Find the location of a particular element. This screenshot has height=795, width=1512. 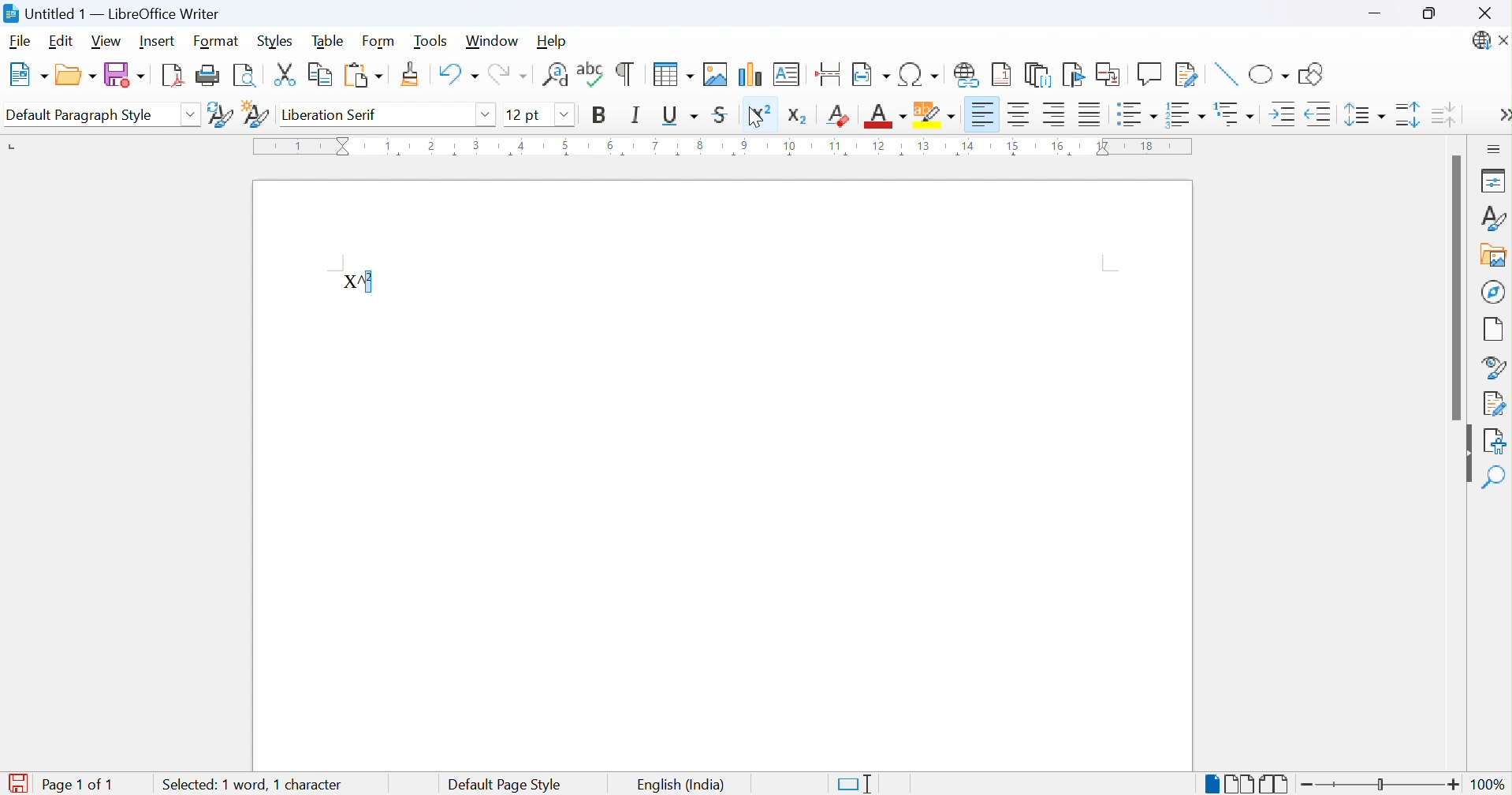

Find is located at coordinates (1496, 477).